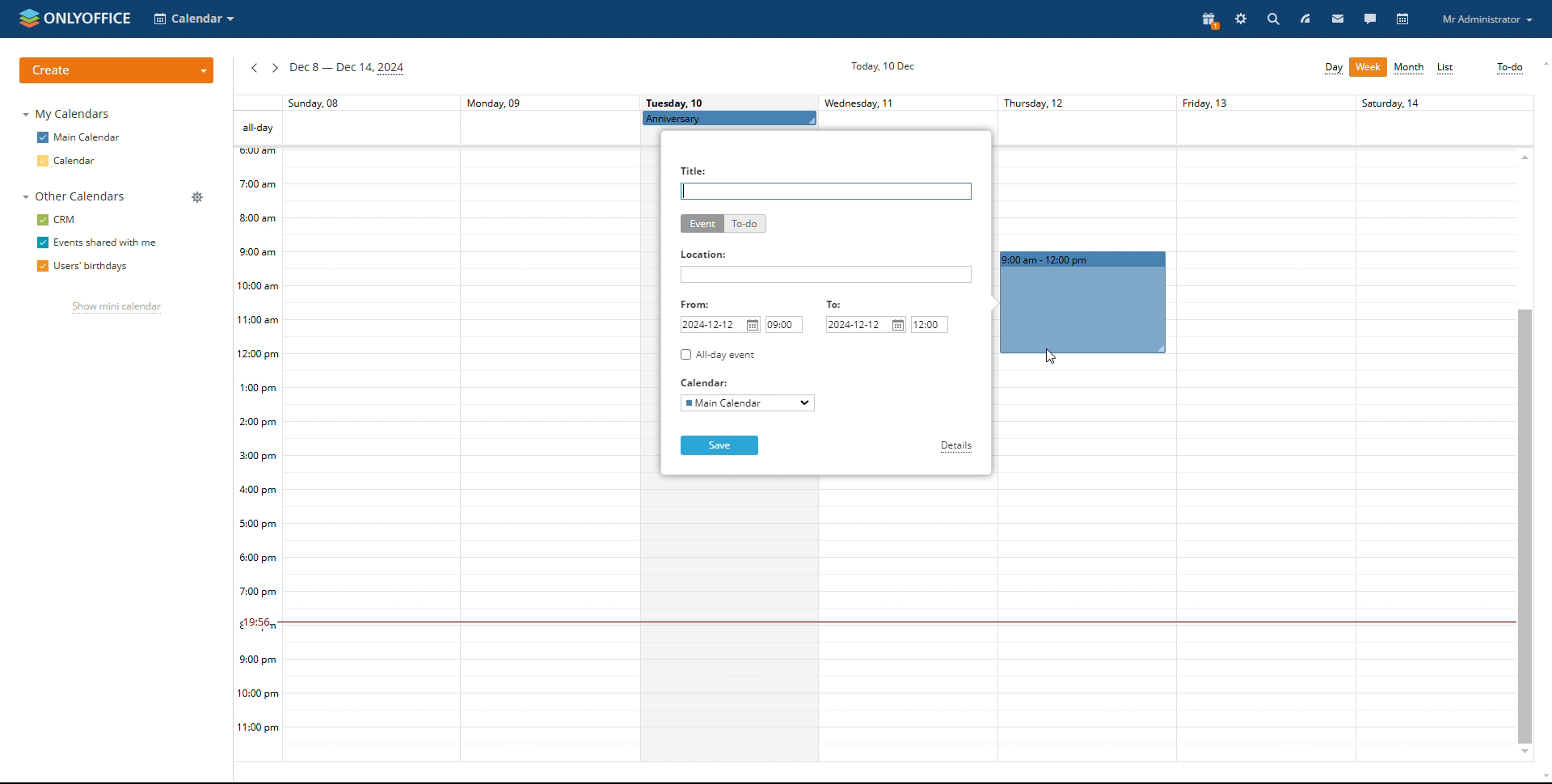 This screenshot has width=1552, height=784. What do you see at coordinates (40, 266) in the screenshot?
I see `checkbox` at bounding box center [40, 266].